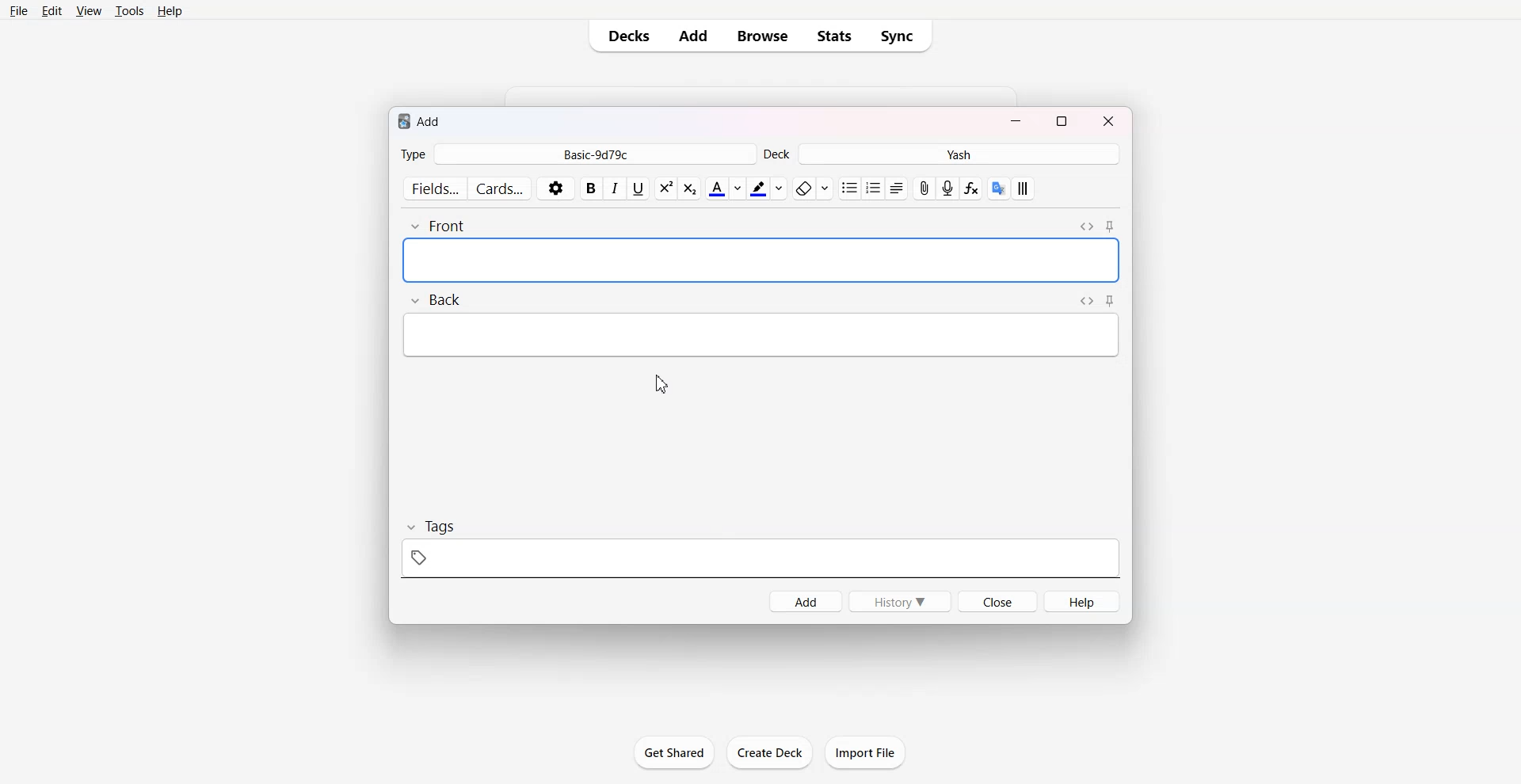 The height and width of the screenshot is (784, 1521). I want to click on Unorder list, so click(850, 188).